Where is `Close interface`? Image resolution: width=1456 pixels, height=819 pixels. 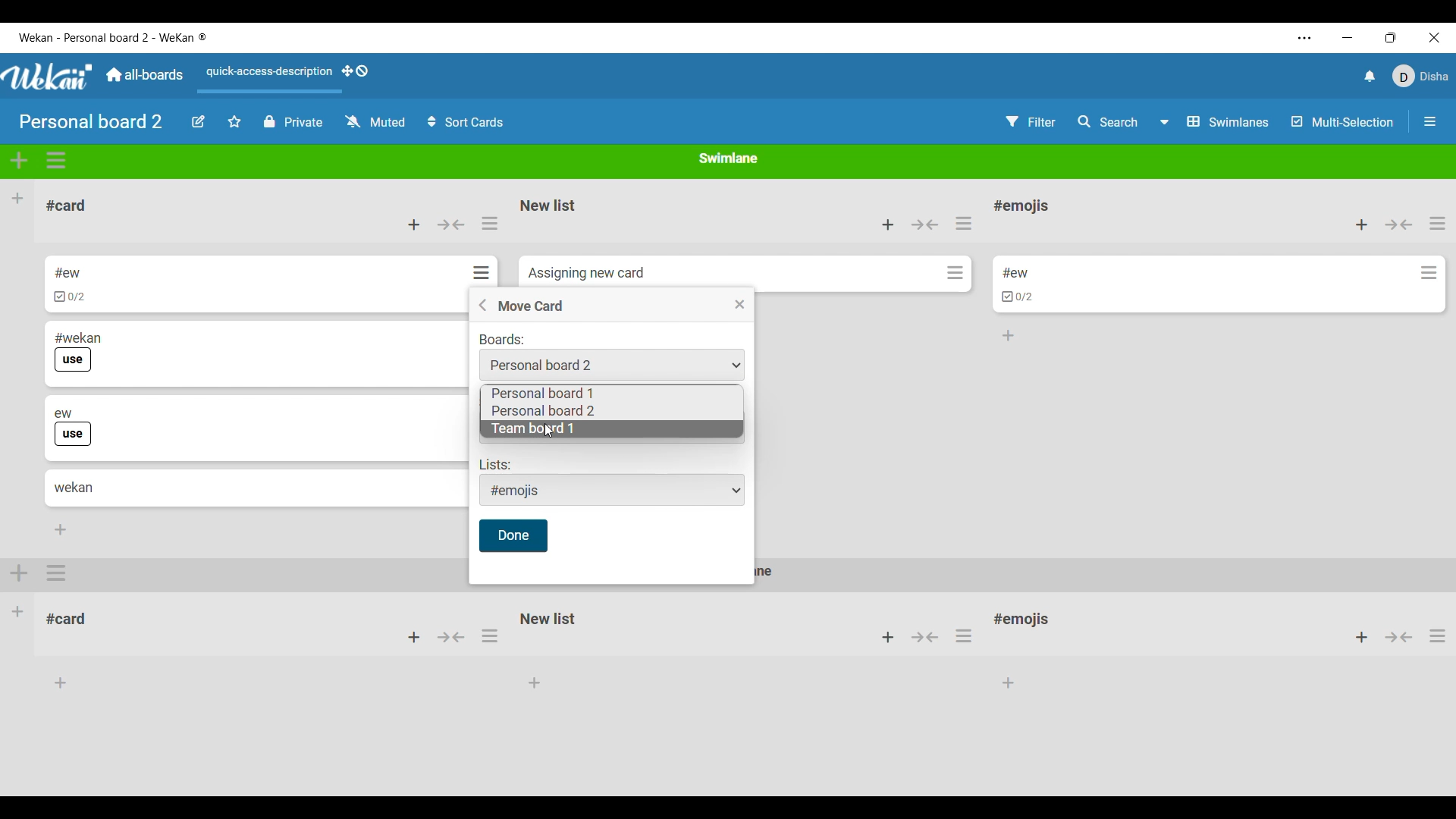
Close interface is located at coordinates (1435, 37).